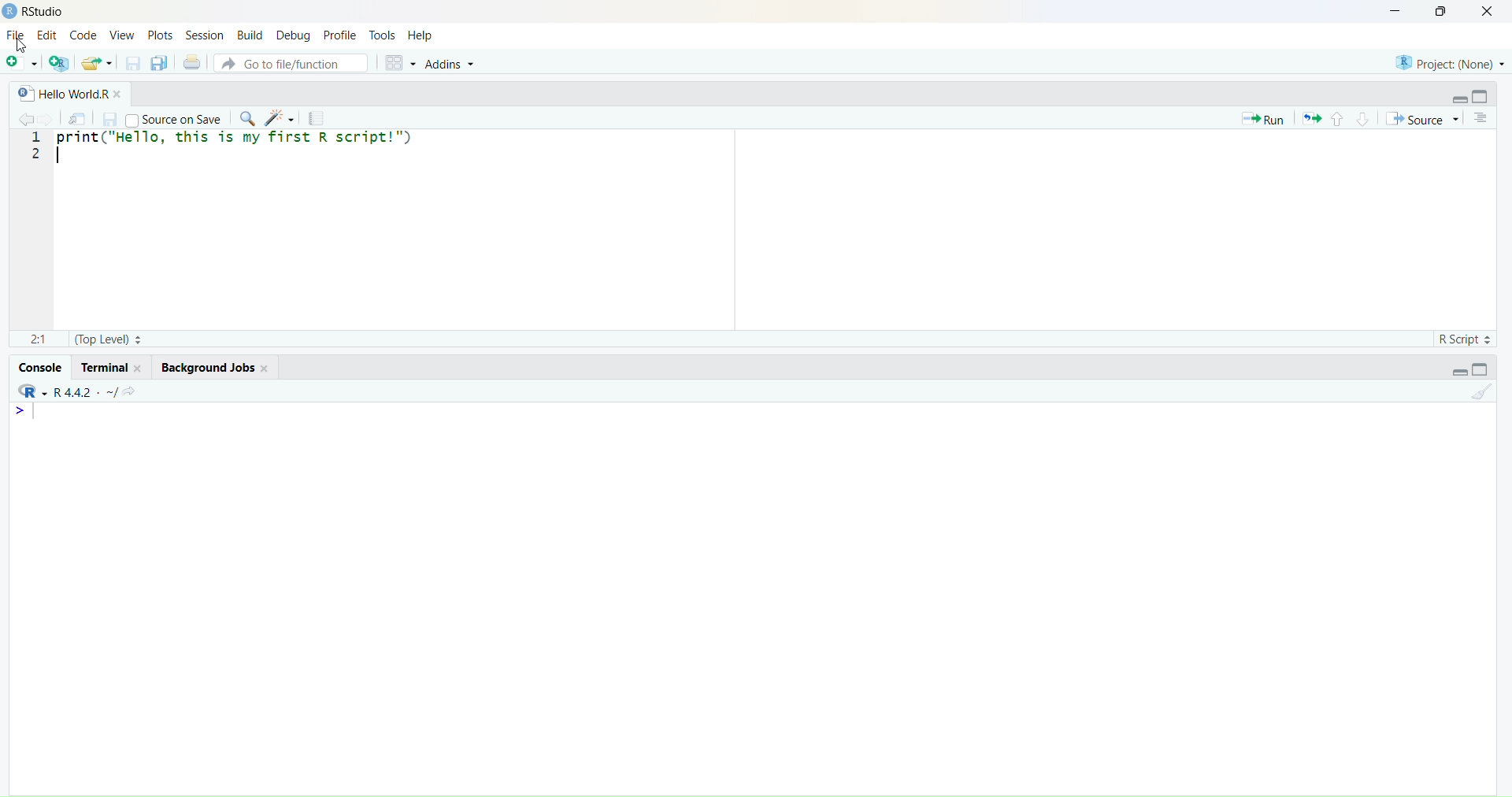  Describe the element at coordinates (1447, 61) in the screenshot. I see `Project (None)` at that location.